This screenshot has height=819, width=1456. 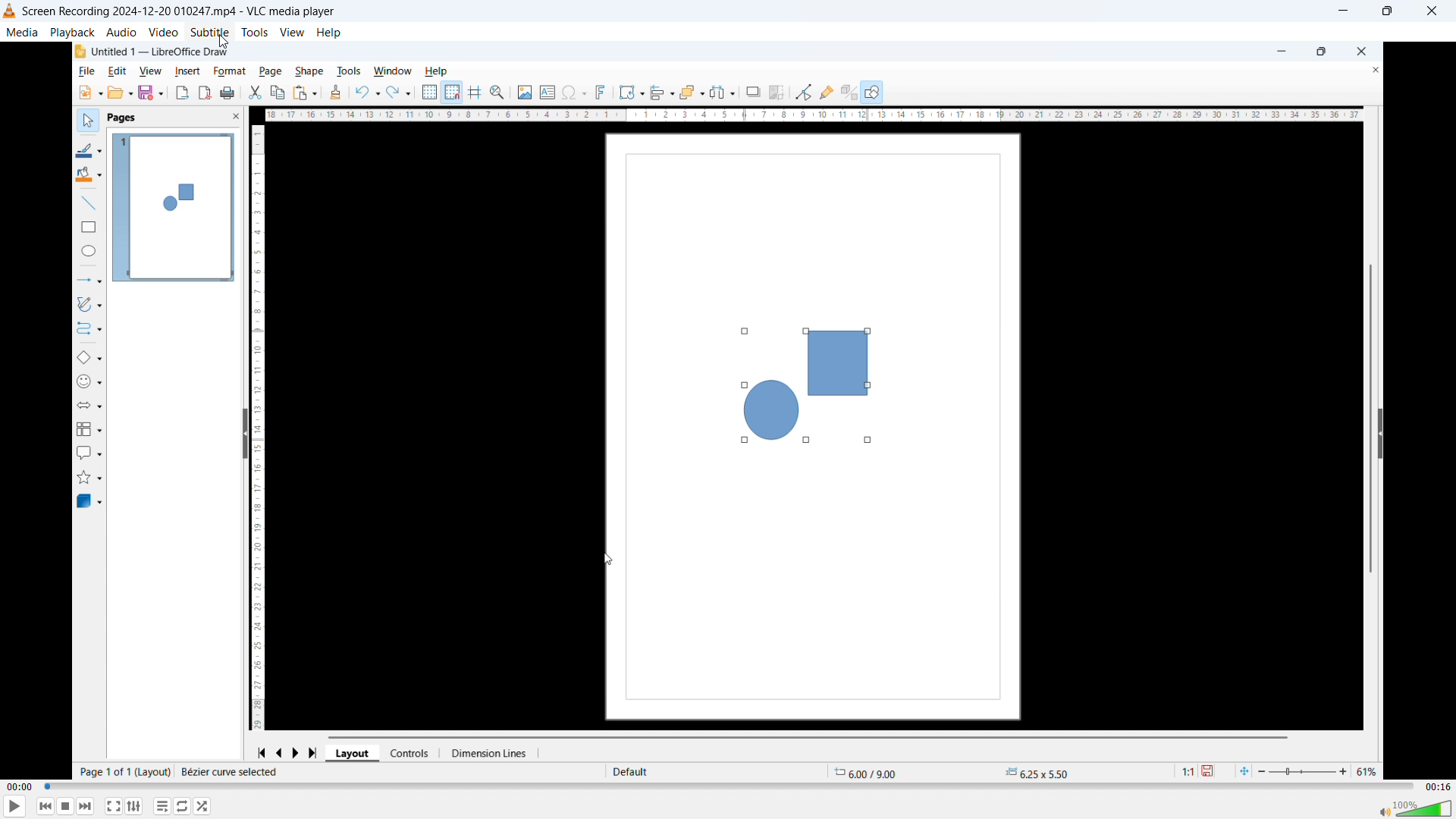 What do you see at coordinates (477, 93) in the screenshot?
I see `helpline while moving` at bounding box center [477, 93].